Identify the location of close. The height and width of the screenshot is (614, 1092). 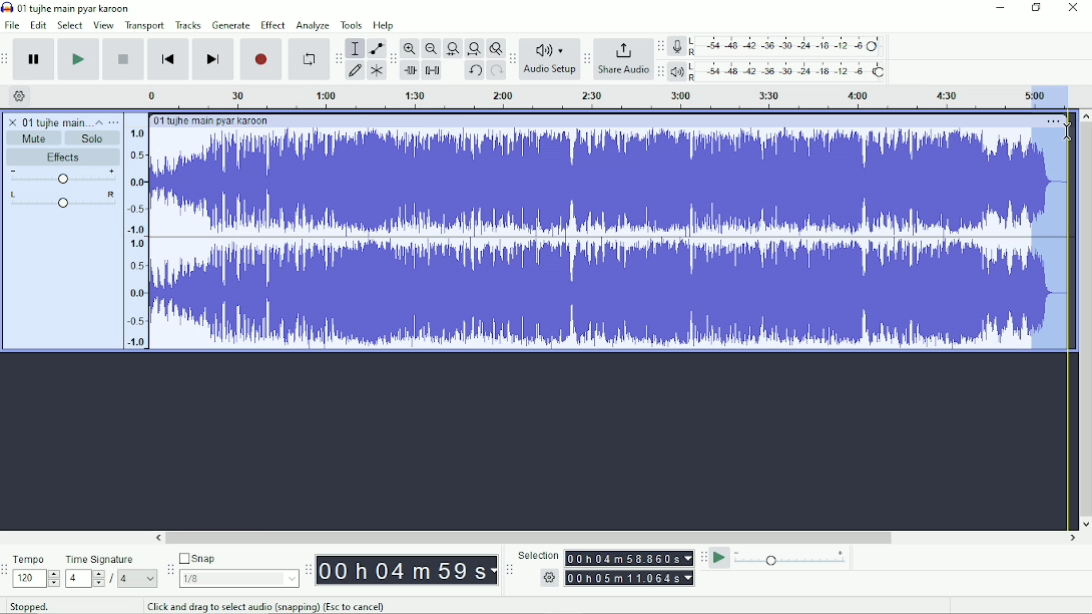
(11, 121).